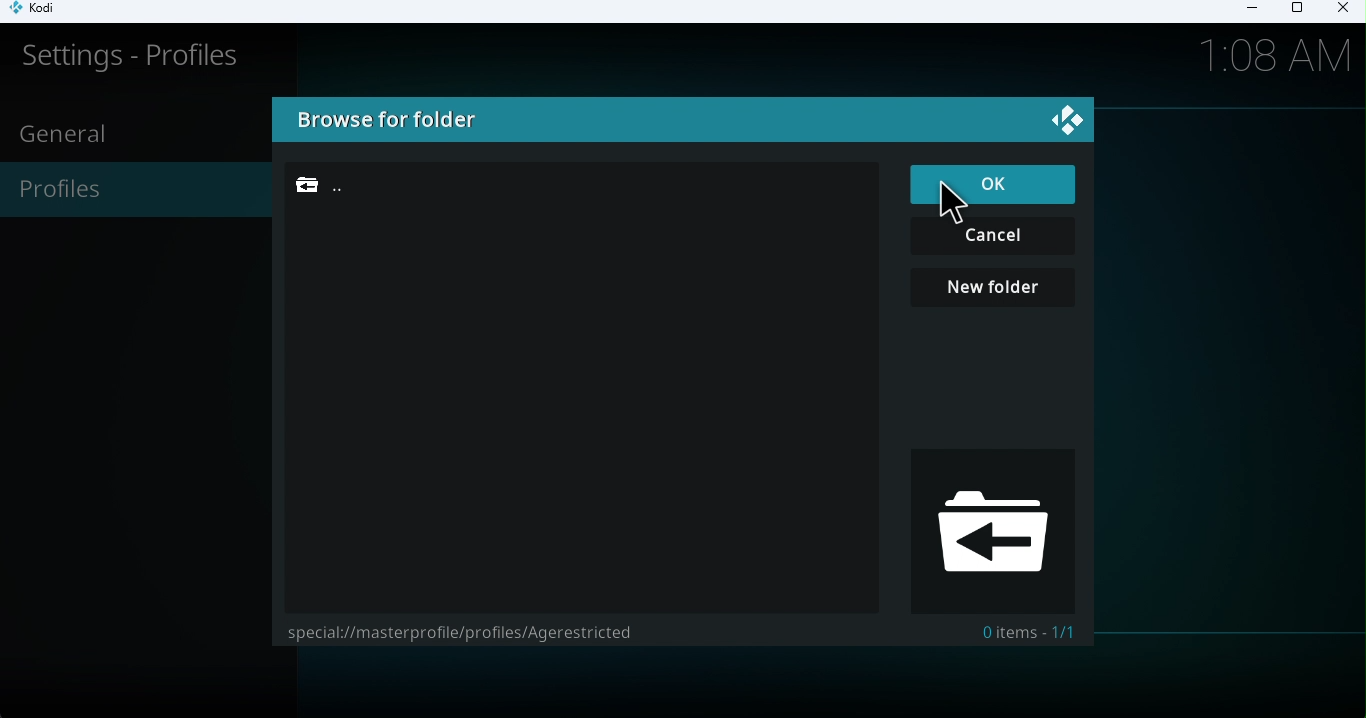 The width and height of the screenshot is (1366, 718). I want to click on Kodi icon, so click(42, 12).